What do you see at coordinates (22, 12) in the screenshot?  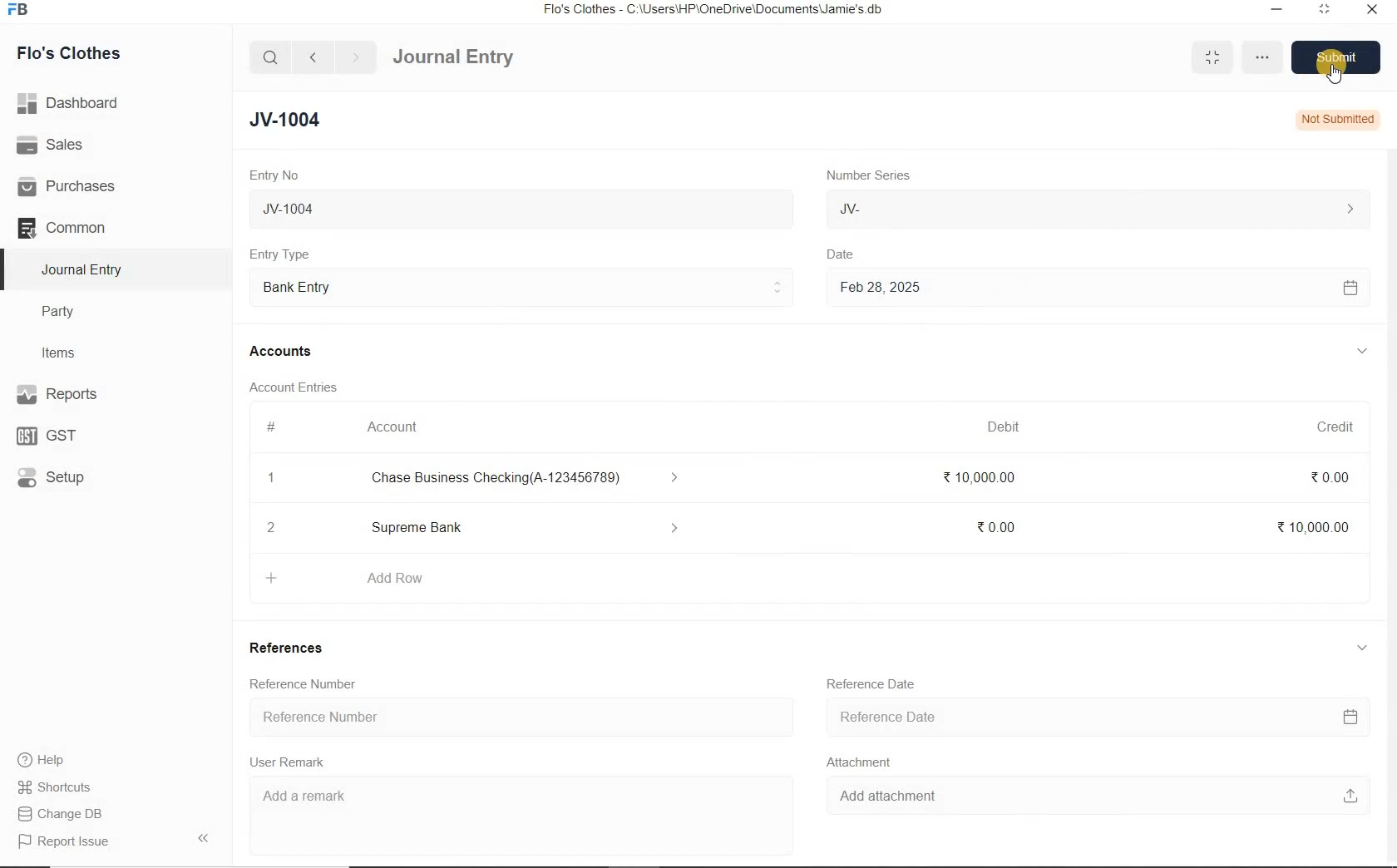 I see `Frappe Books logo` at bounding box center [22, 12].